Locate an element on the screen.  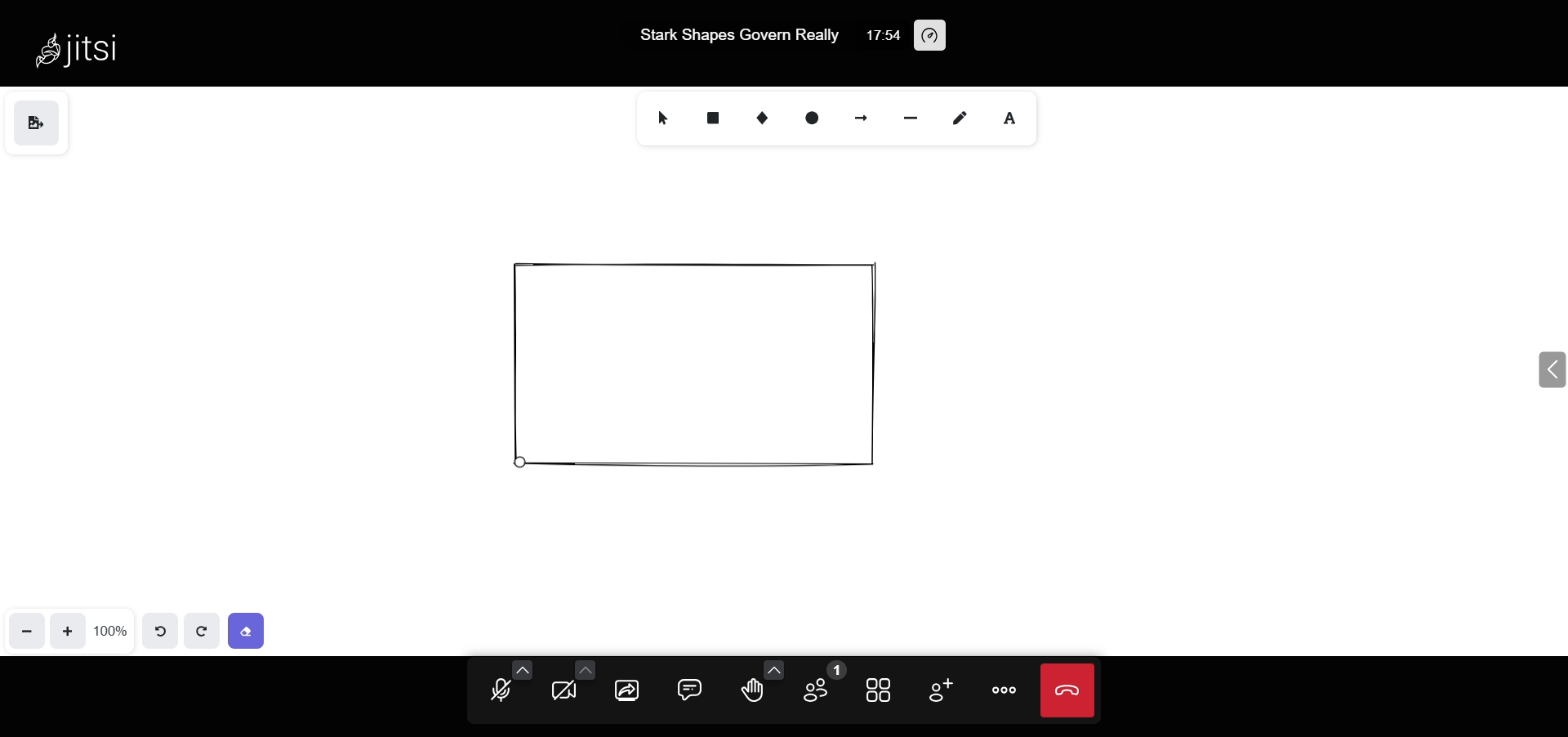
redo is located at coordinates (200, 630).